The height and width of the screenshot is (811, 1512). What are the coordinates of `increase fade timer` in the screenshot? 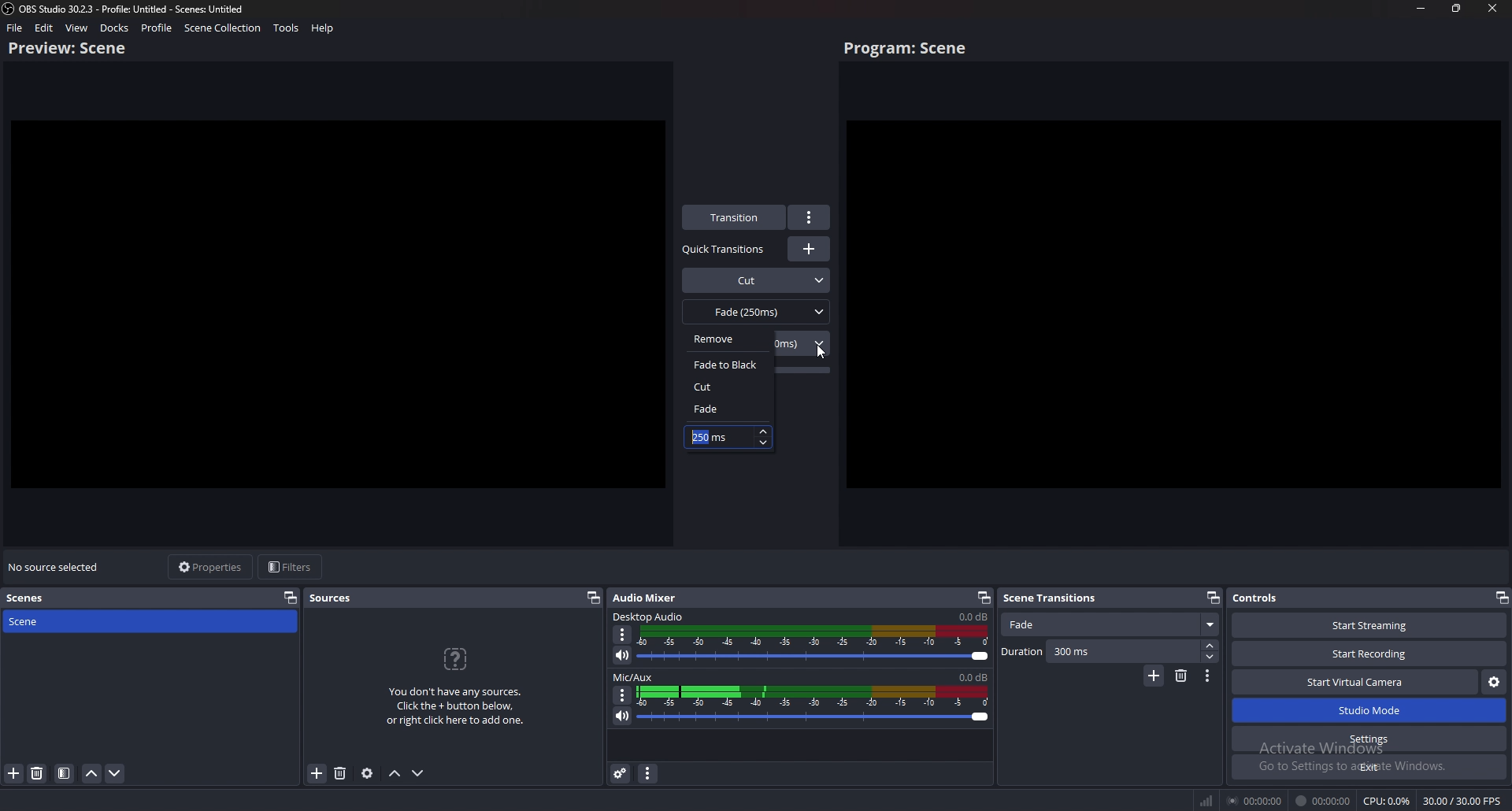 It's located at (763, 432).